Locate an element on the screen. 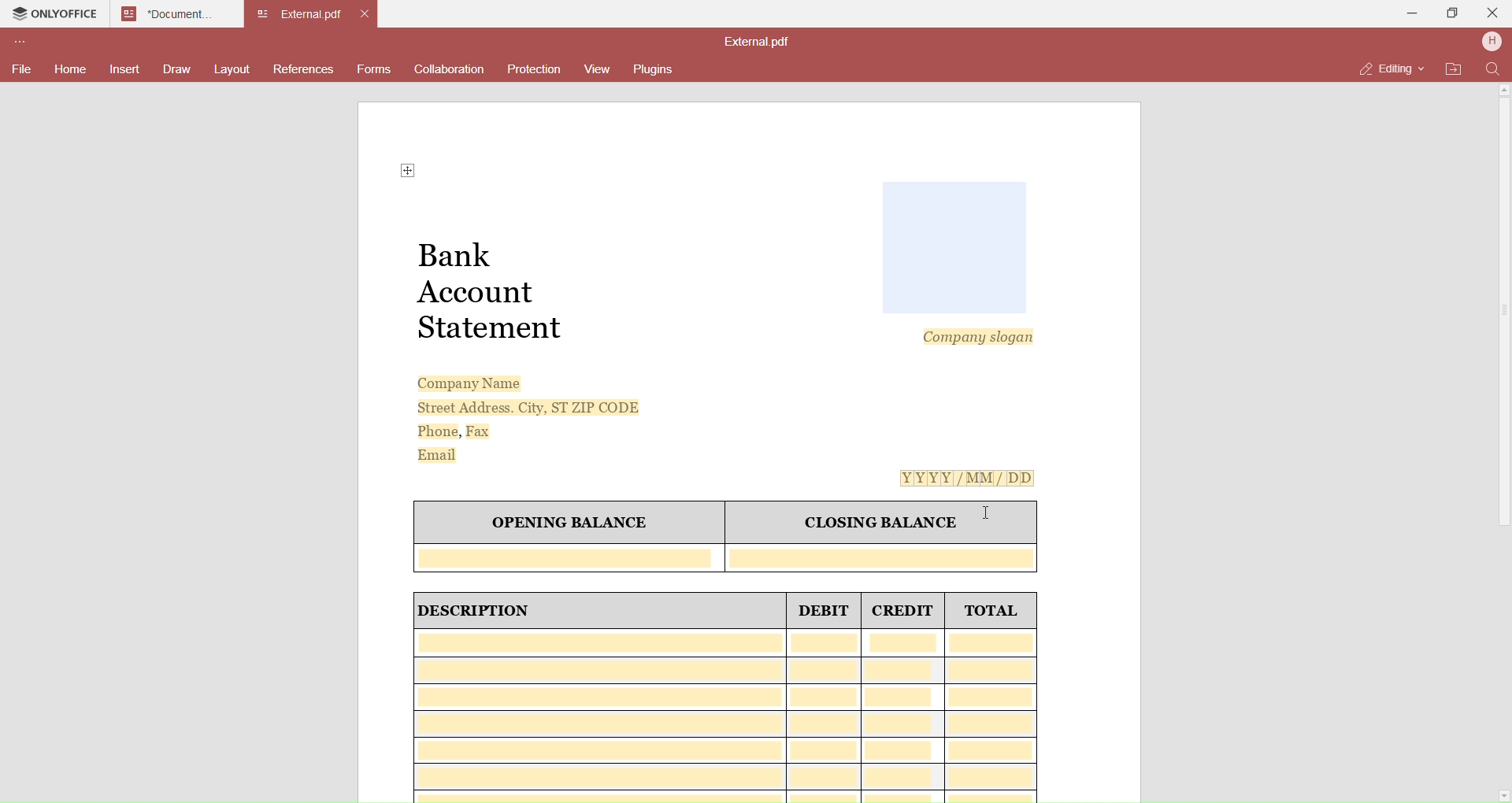  opening balance cell is located at coordinates (570, 557).